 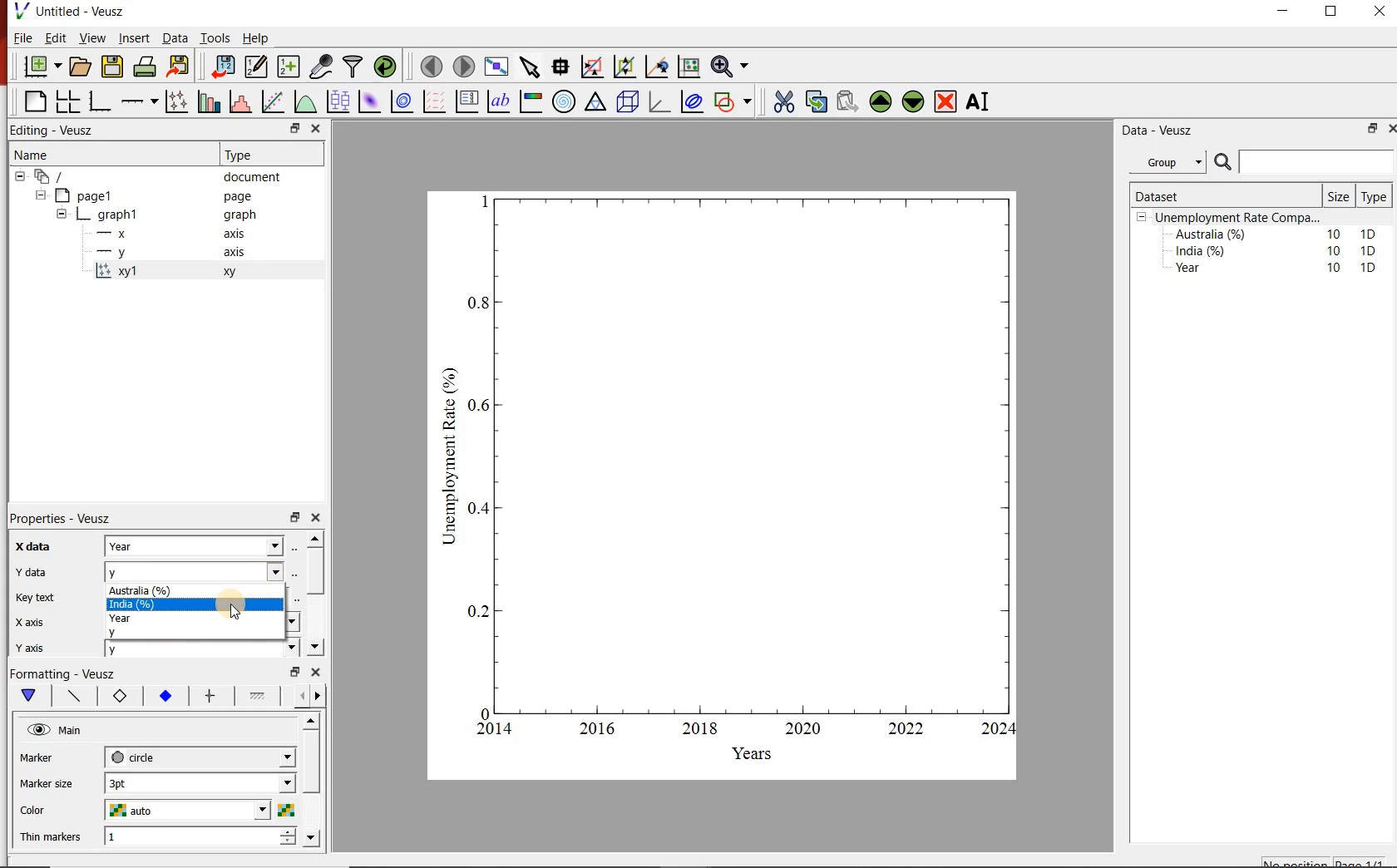 What do you see at coordinates (172, 215) in the screenshot?
I see `graph1
pl graph` at bounding box center [172, 215].